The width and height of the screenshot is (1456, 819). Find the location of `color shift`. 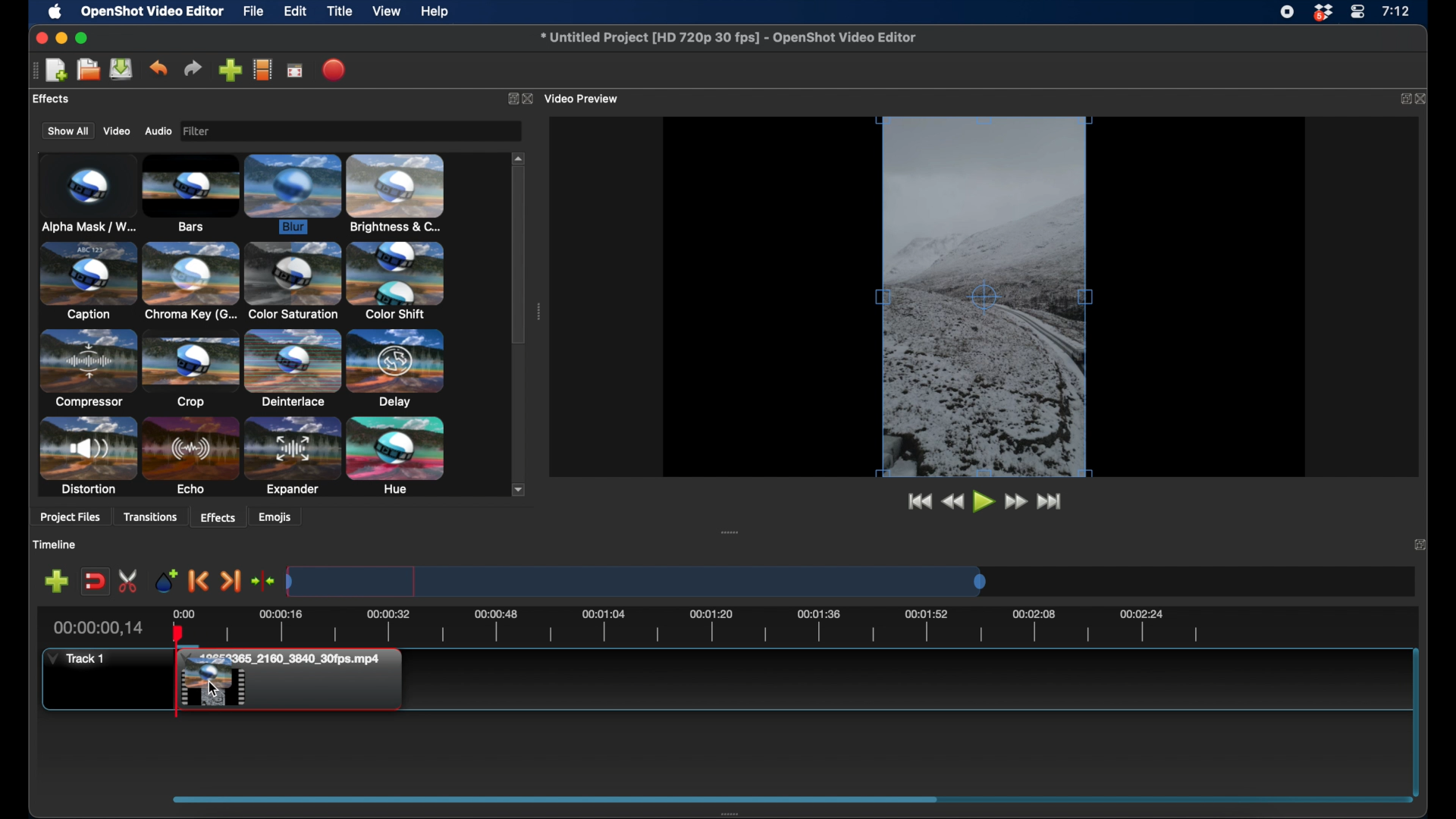

color shift is located at coordinates (395, 280).